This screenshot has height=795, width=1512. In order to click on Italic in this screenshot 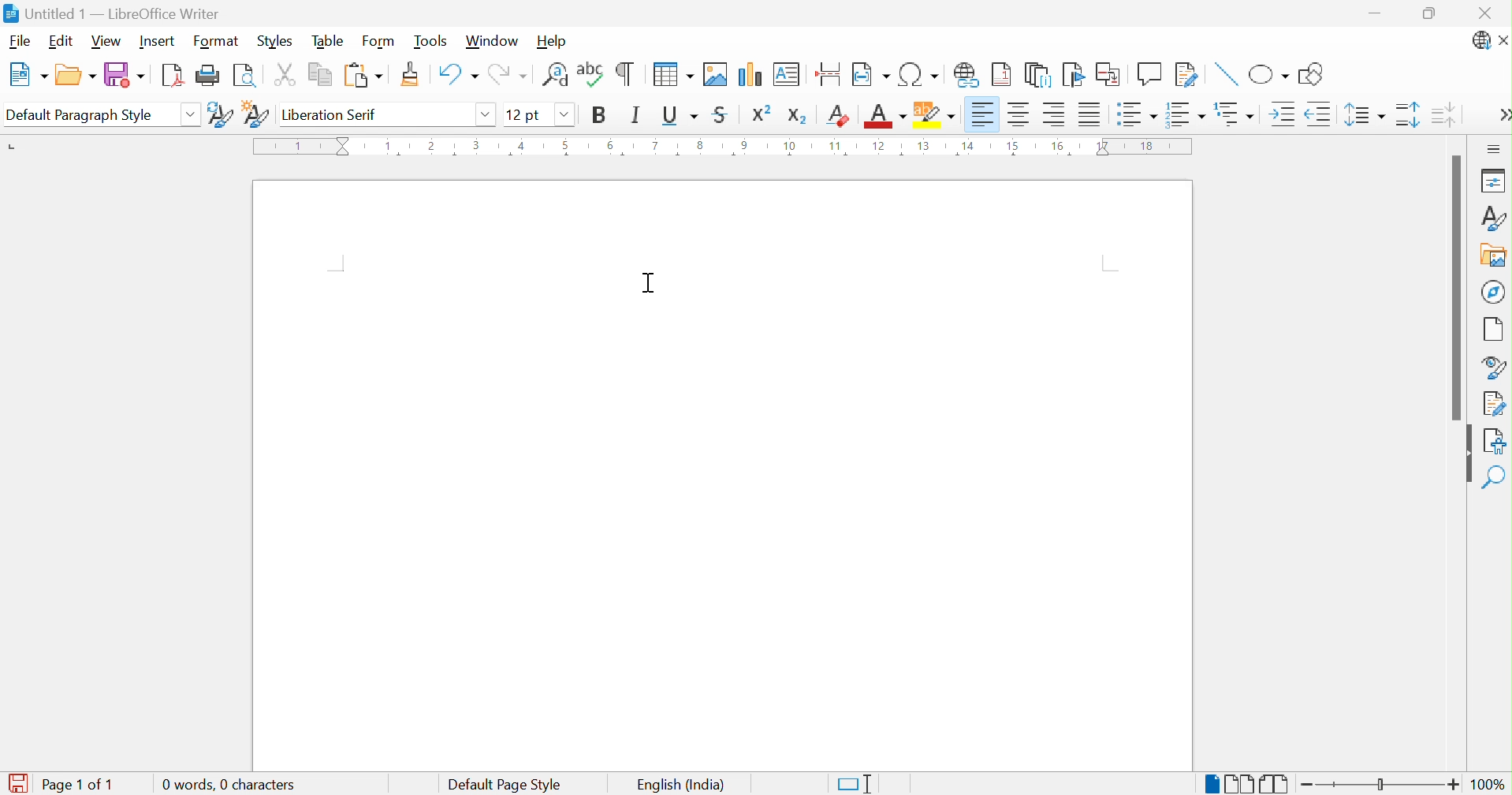, I will do `click(638, 116)`.